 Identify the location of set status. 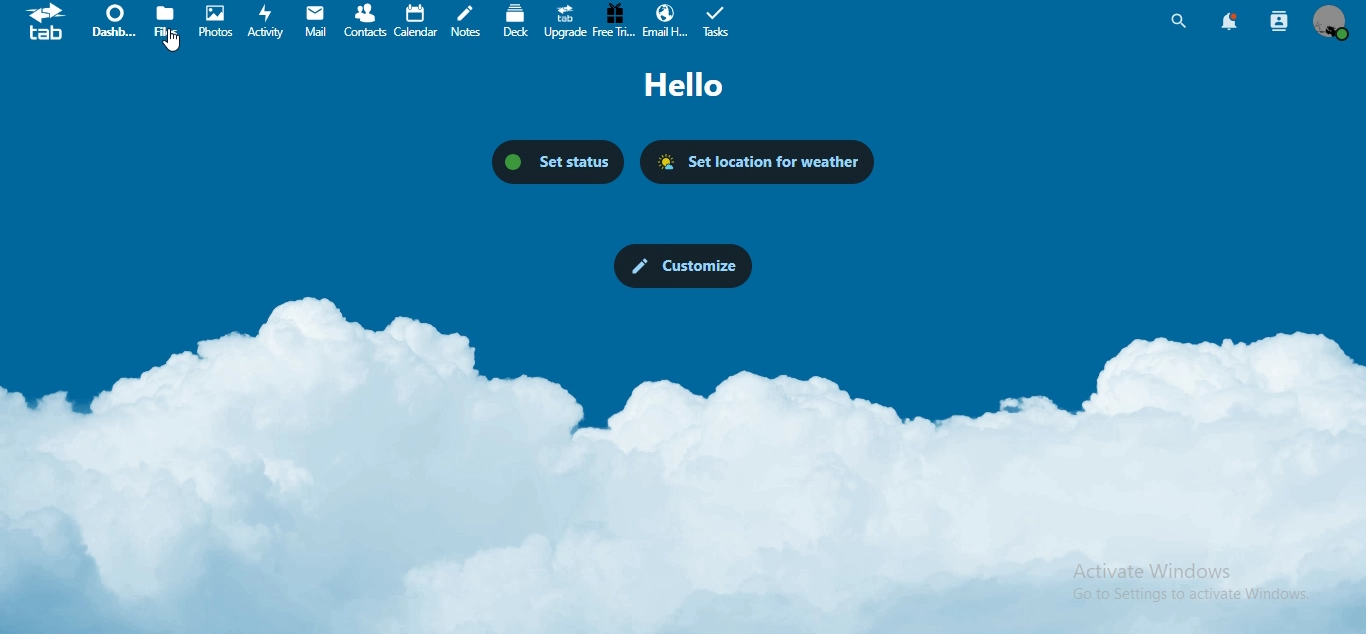
(559, 160).